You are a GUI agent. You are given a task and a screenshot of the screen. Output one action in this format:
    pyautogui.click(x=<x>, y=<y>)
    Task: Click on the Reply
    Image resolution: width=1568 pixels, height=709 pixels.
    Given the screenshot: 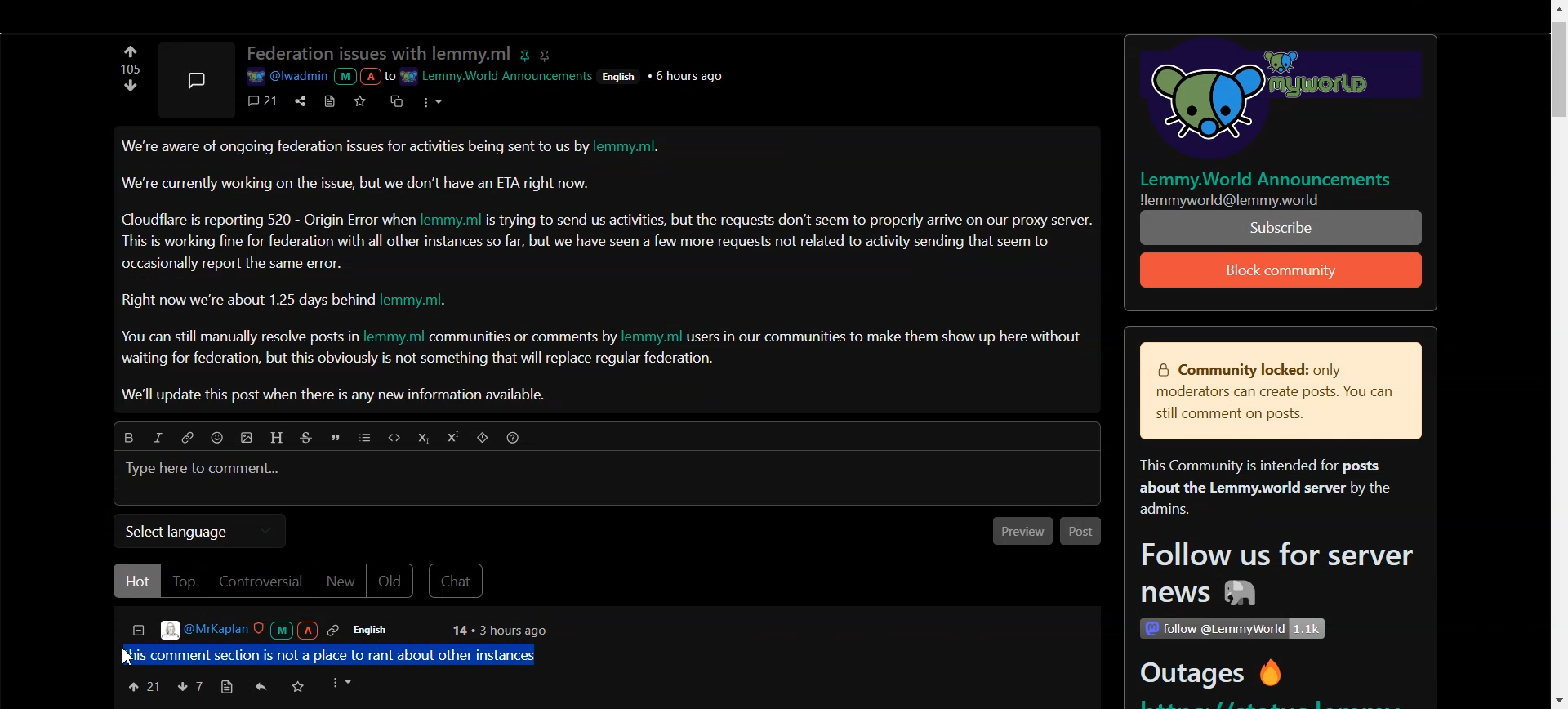 What is the action you would take?
    pyautogui.click(x=262, y=687)
    